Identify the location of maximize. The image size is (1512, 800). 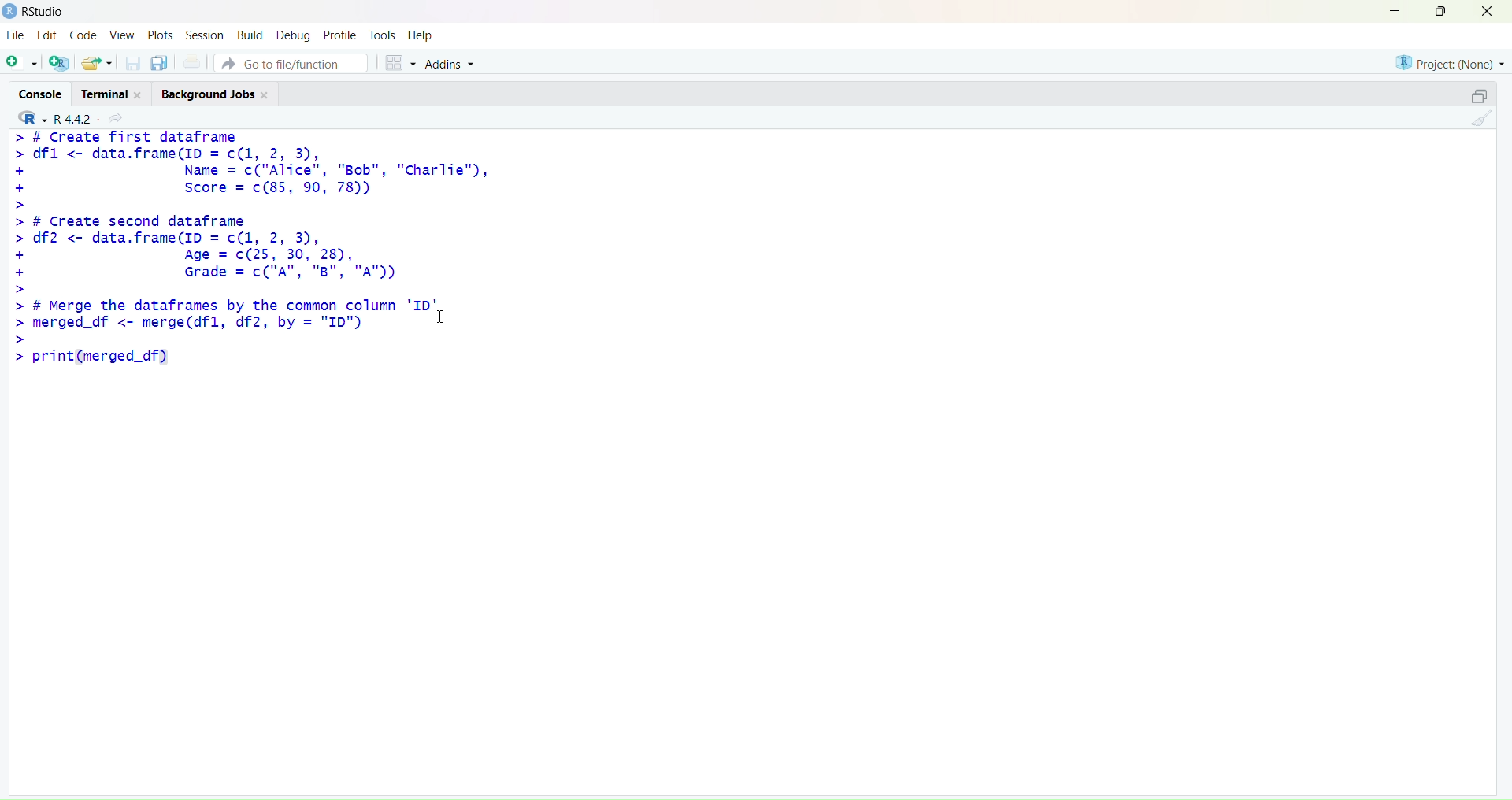
(1441, 9).